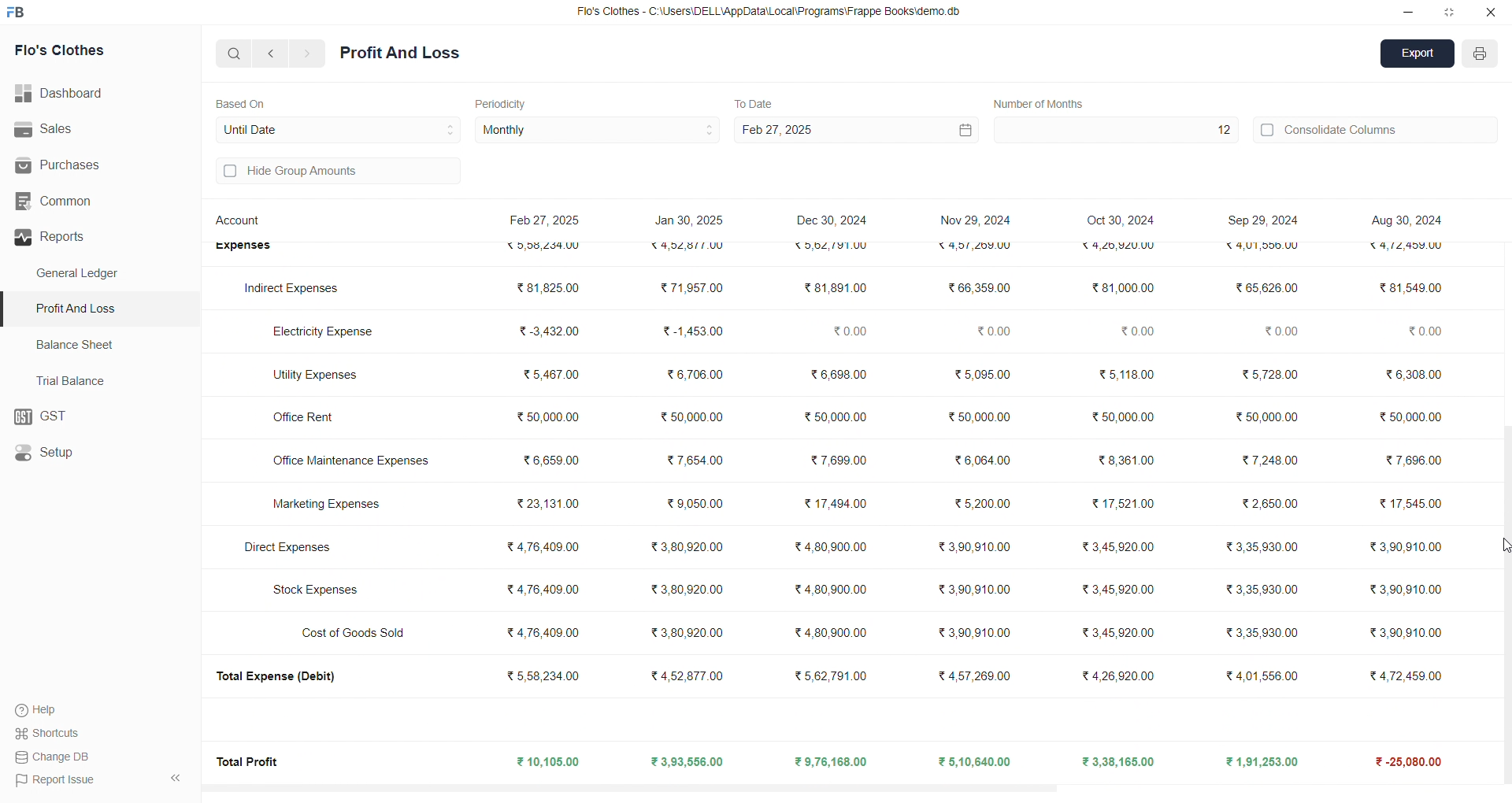 The height and width of the screenshot is (803, 1512). I want to click on Report Issue, so click(56, 779).